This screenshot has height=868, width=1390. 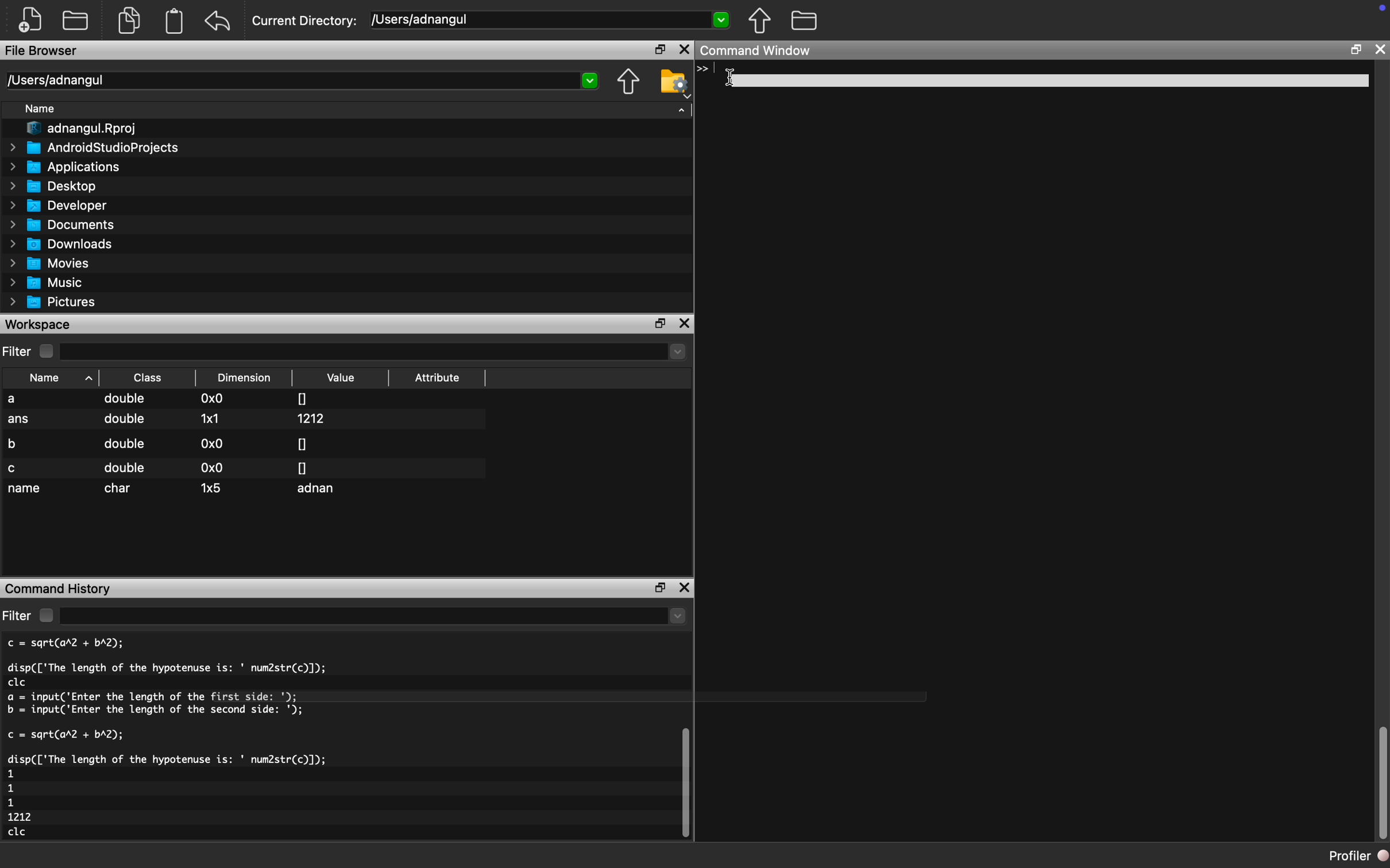 I want to click on 1x1, so click(x=210, y=418).